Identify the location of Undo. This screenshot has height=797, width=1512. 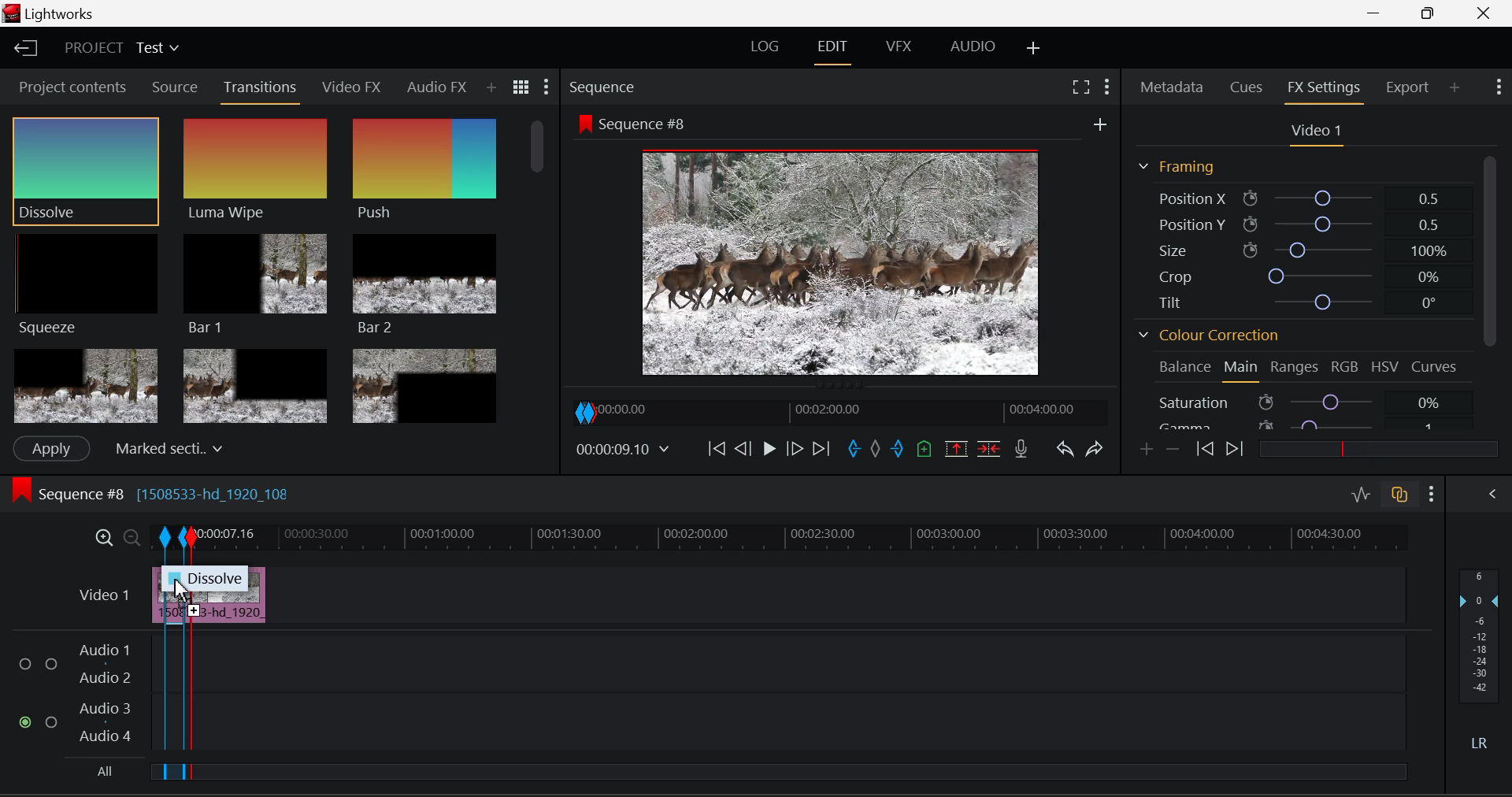
(1066, 451).